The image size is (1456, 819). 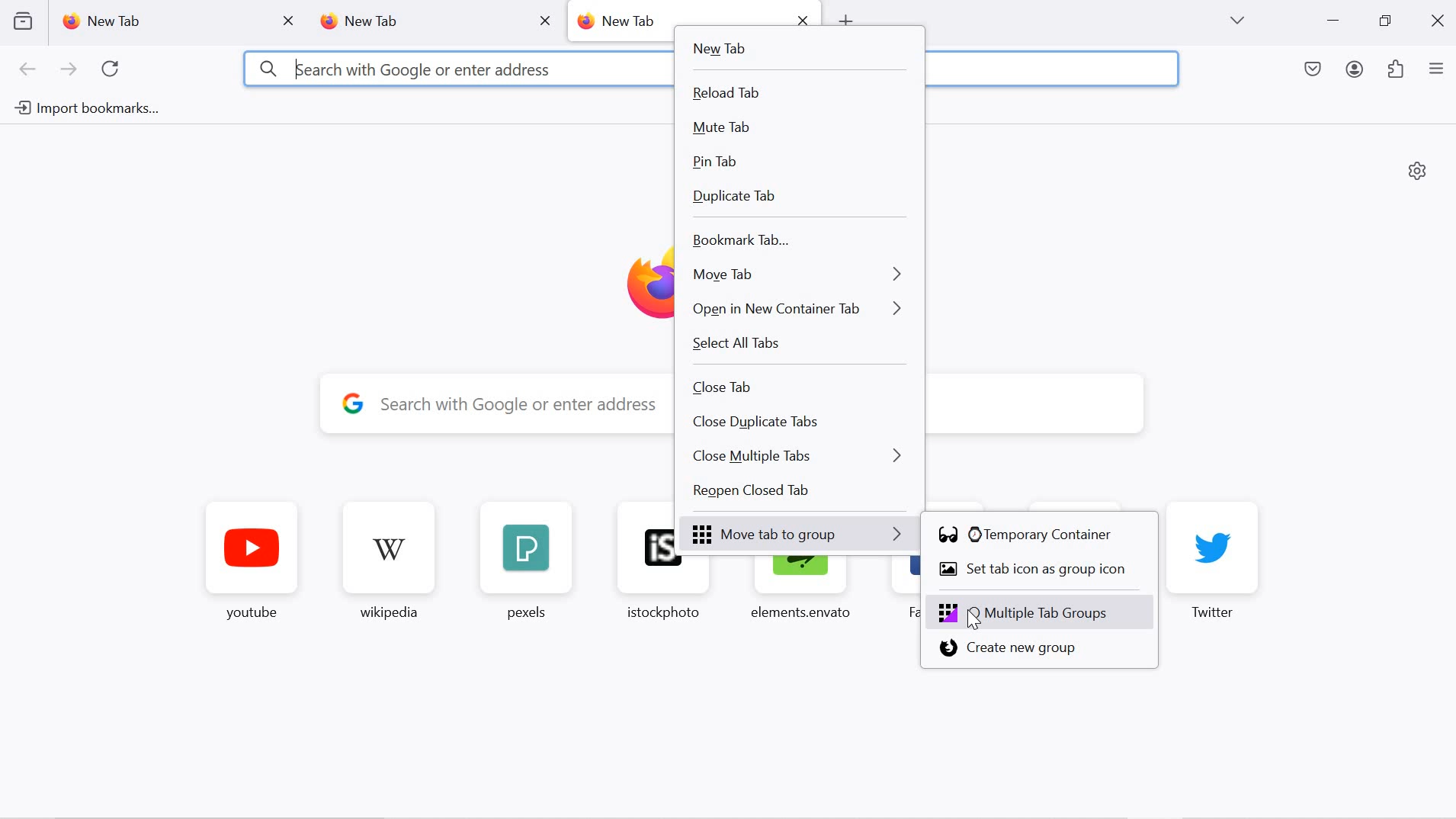 I want to click on twitter favorite, so click(x=1215, y=561).